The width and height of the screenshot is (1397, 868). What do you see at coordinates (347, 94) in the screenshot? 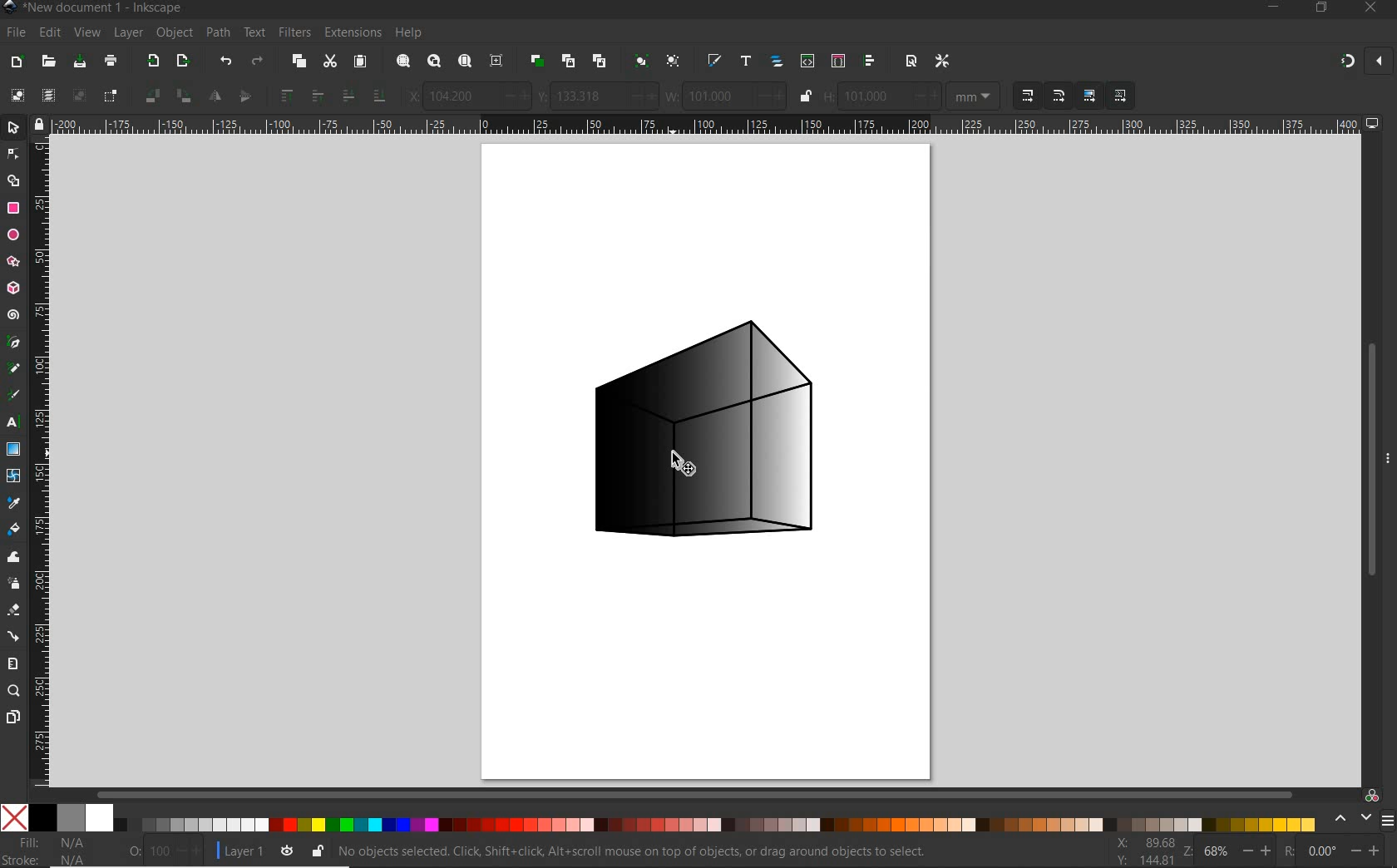
I see `LOWER SELECTION` at bounding box center [347, 94].